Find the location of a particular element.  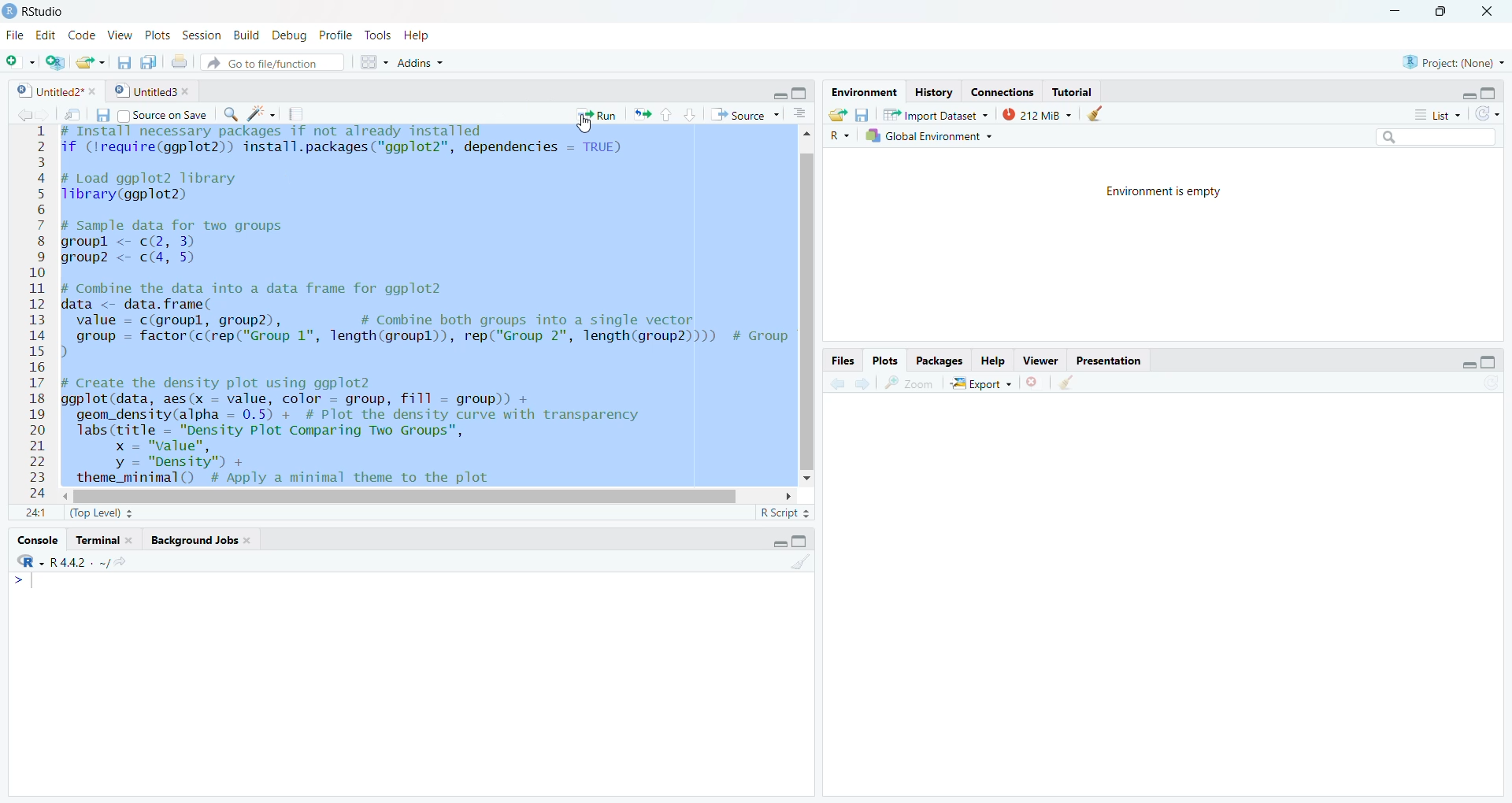

presentation is located at coordinates (1117, 360).